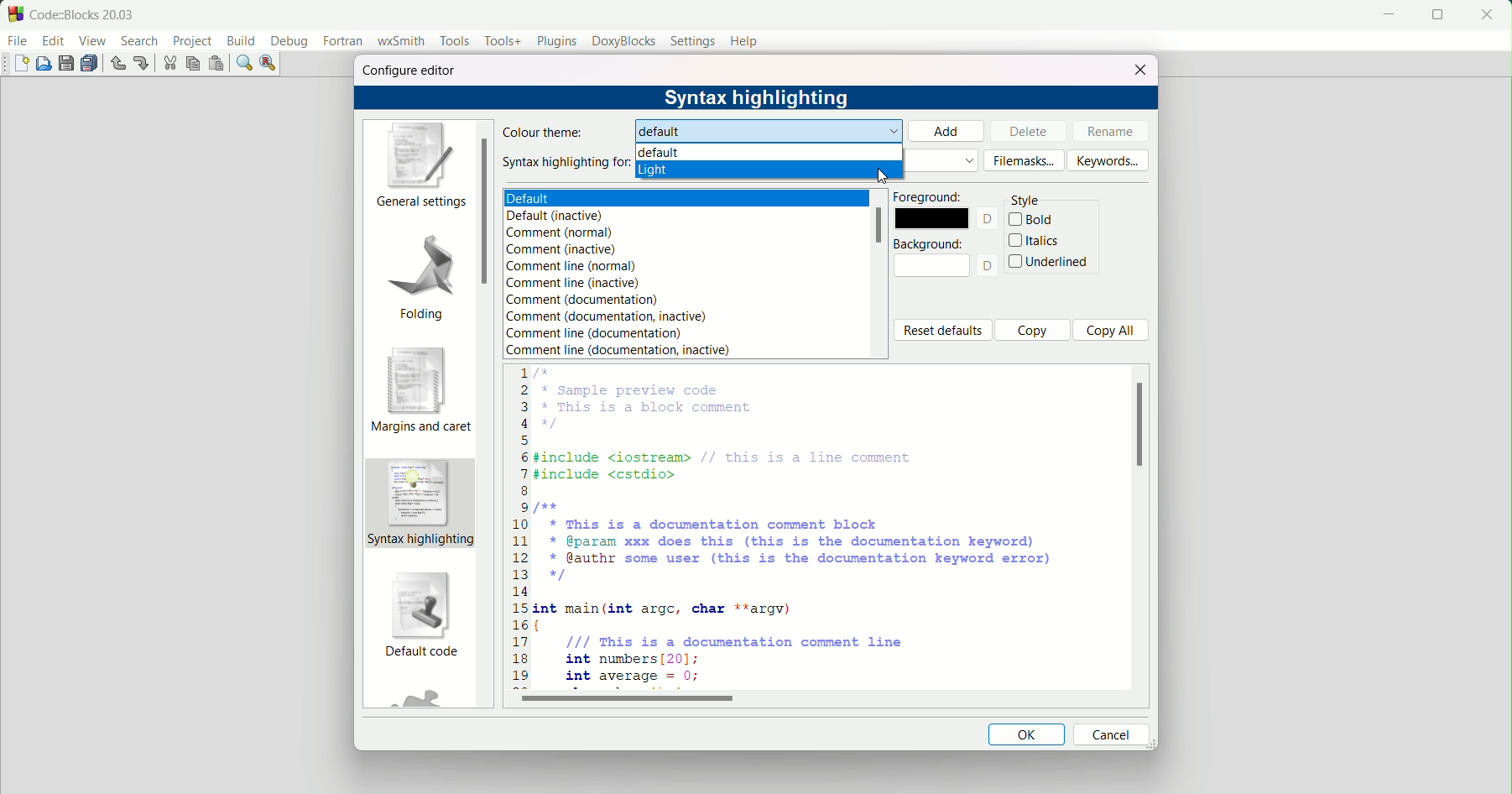  Describe the element at coordinates (881, 227) in the screenshot. I see `scrollbar` at that location.